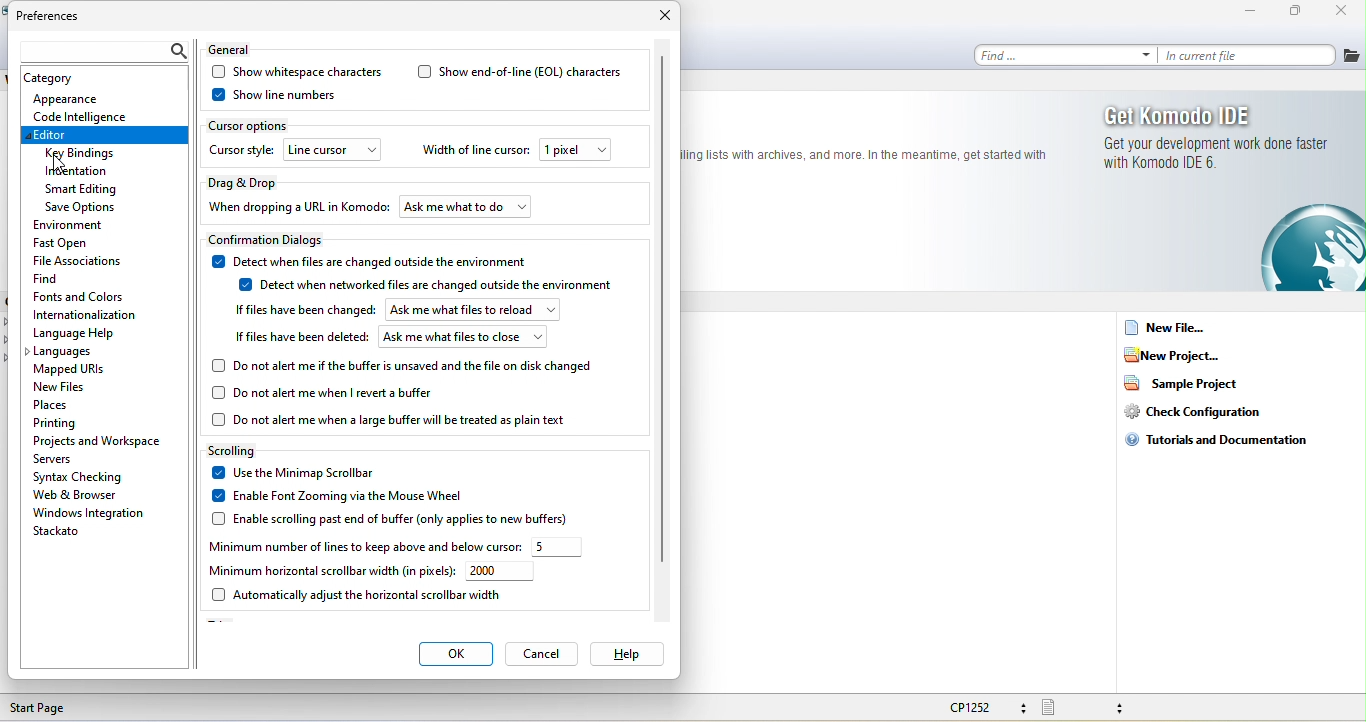 The image size is (1366, 722). I want to click on do not alert me when i revert a buffer, so click(330, 394).